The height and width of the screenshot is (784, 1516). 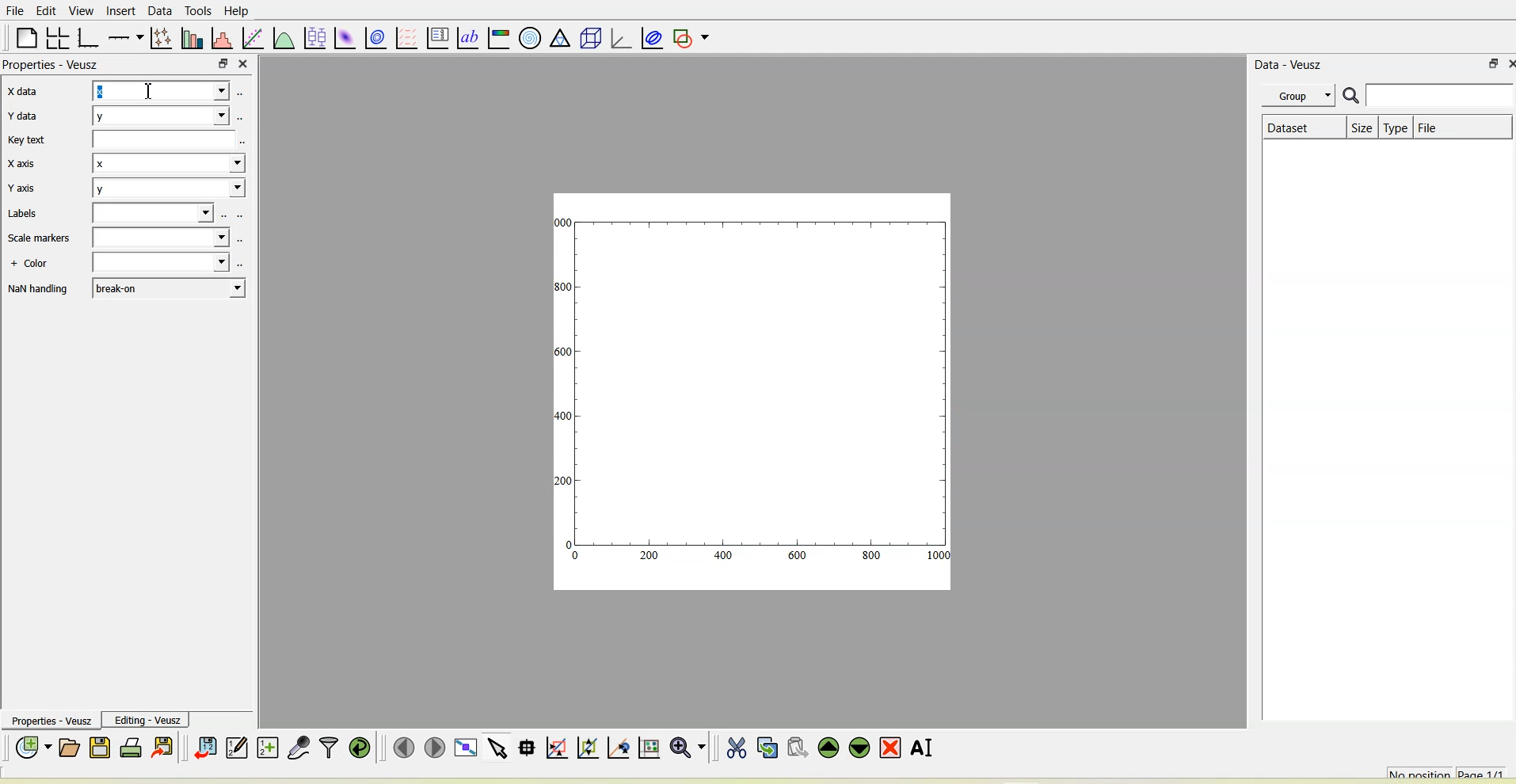 What do you see at coordinates (124, 37) in the screenshot?
I see `Add an axis to the plot` at bounding box center [124, 37].